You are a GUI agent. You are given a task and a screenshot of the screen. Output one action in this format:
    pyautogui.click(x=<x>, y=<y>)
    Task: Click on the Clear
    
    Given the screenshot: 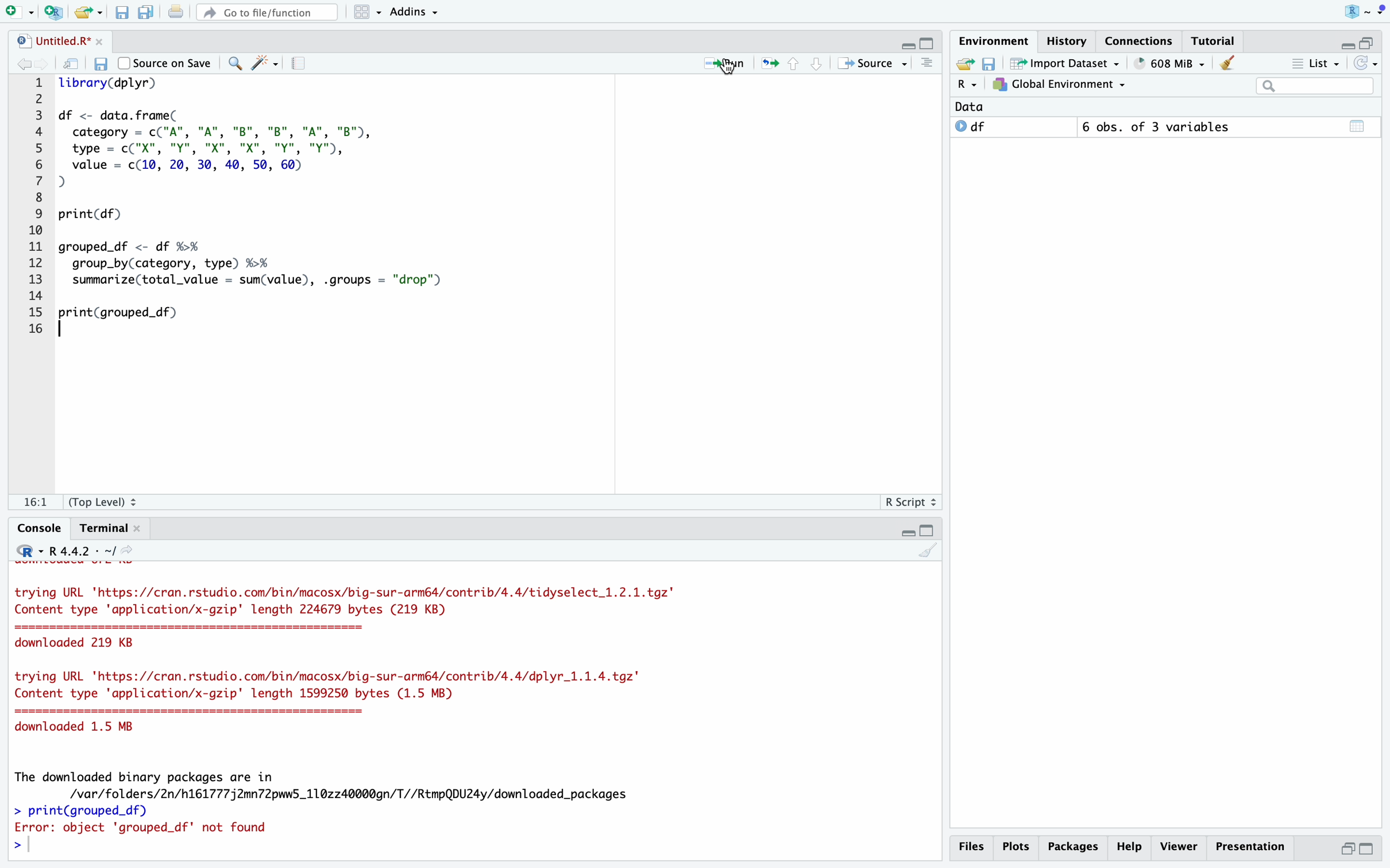 What is the action you would take?
    pyautogui.click(x=1229, y=64)
    